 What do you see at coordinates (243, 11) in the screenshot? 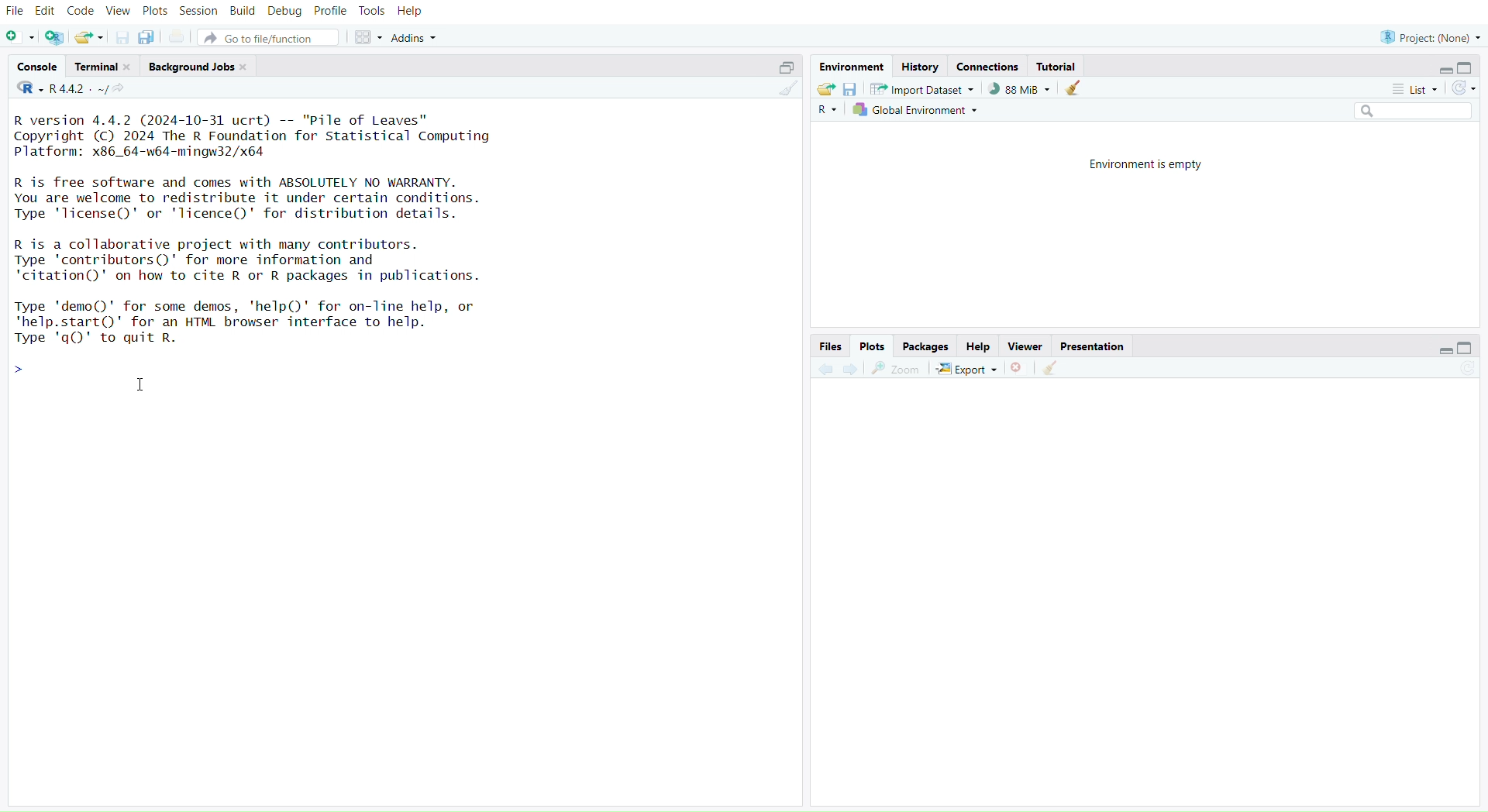
I see `build` at bounding box center [243, 11].